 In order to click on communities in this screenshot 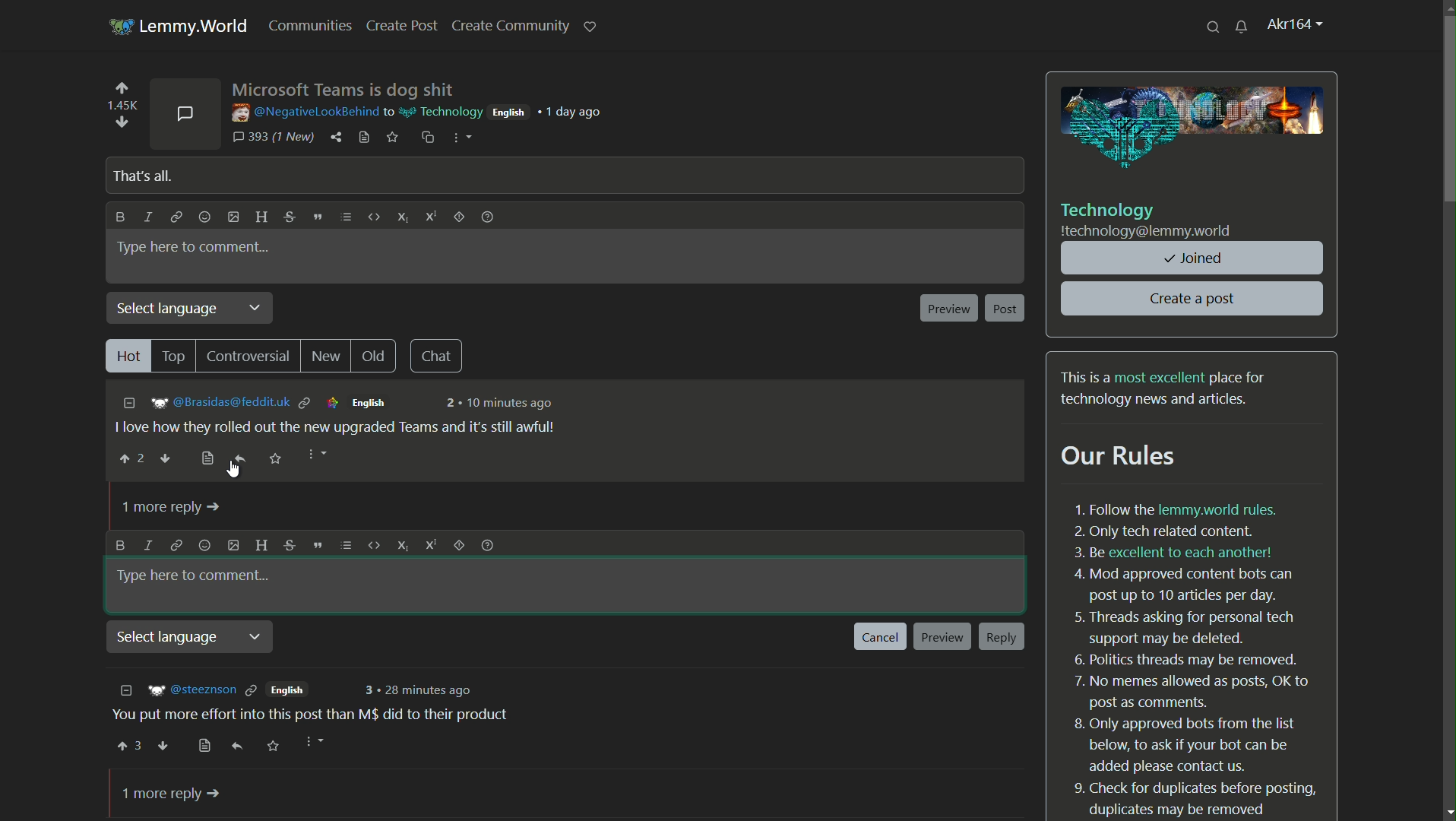, I will do `click(315, 26)`.